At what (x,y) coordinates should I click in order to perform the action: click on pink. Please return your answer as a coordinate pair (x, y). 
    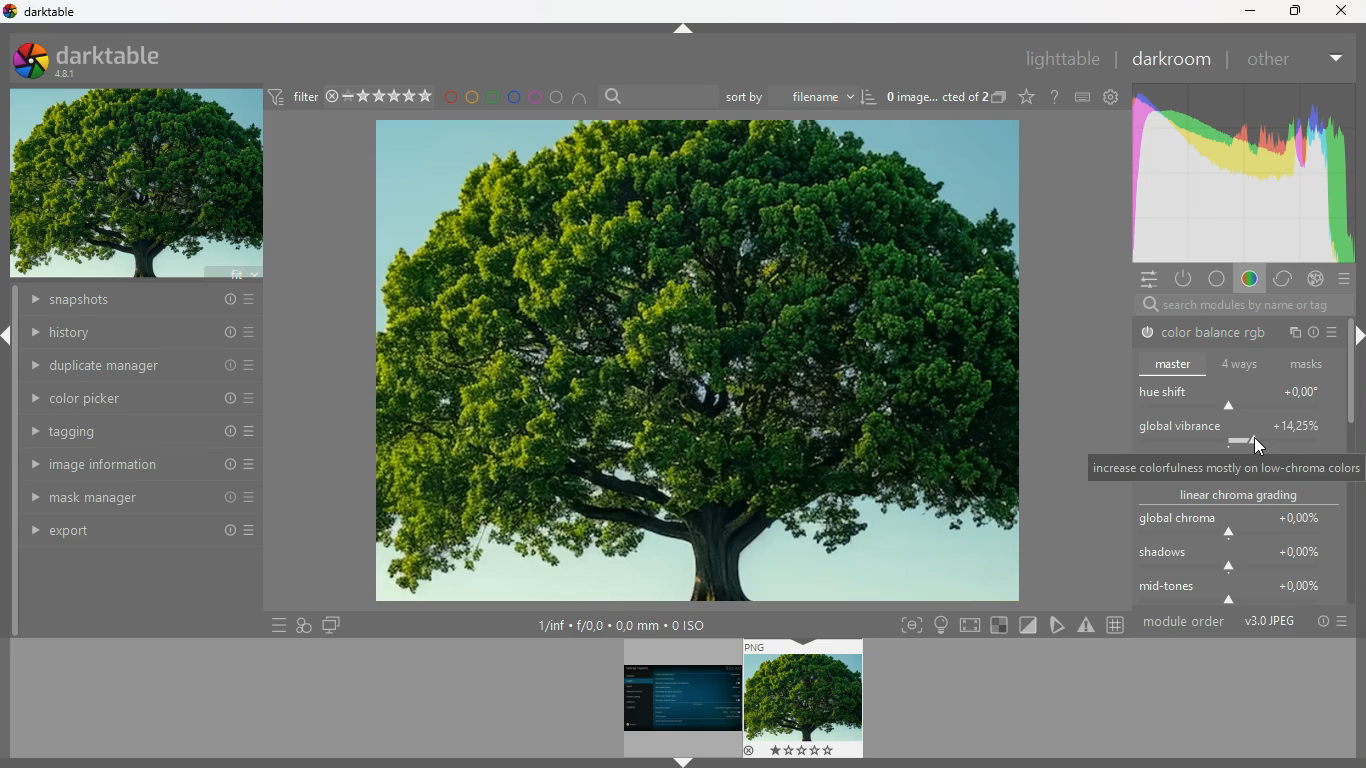
    Looking at the image, I should click on (536, 97).